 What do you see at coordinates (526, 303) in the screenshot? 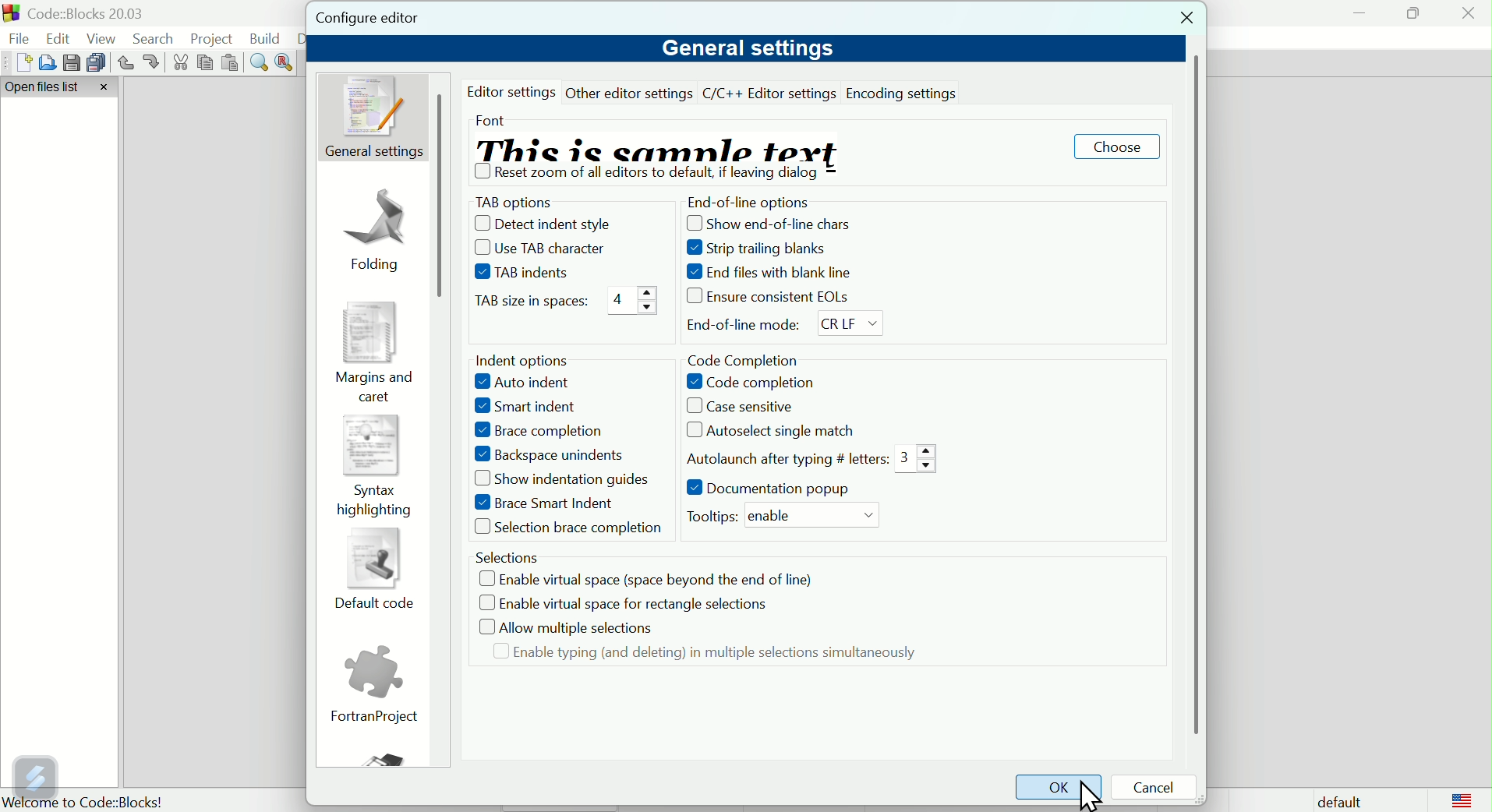
I see `Tap size in spaces 4` at bounding box center [526, 303].